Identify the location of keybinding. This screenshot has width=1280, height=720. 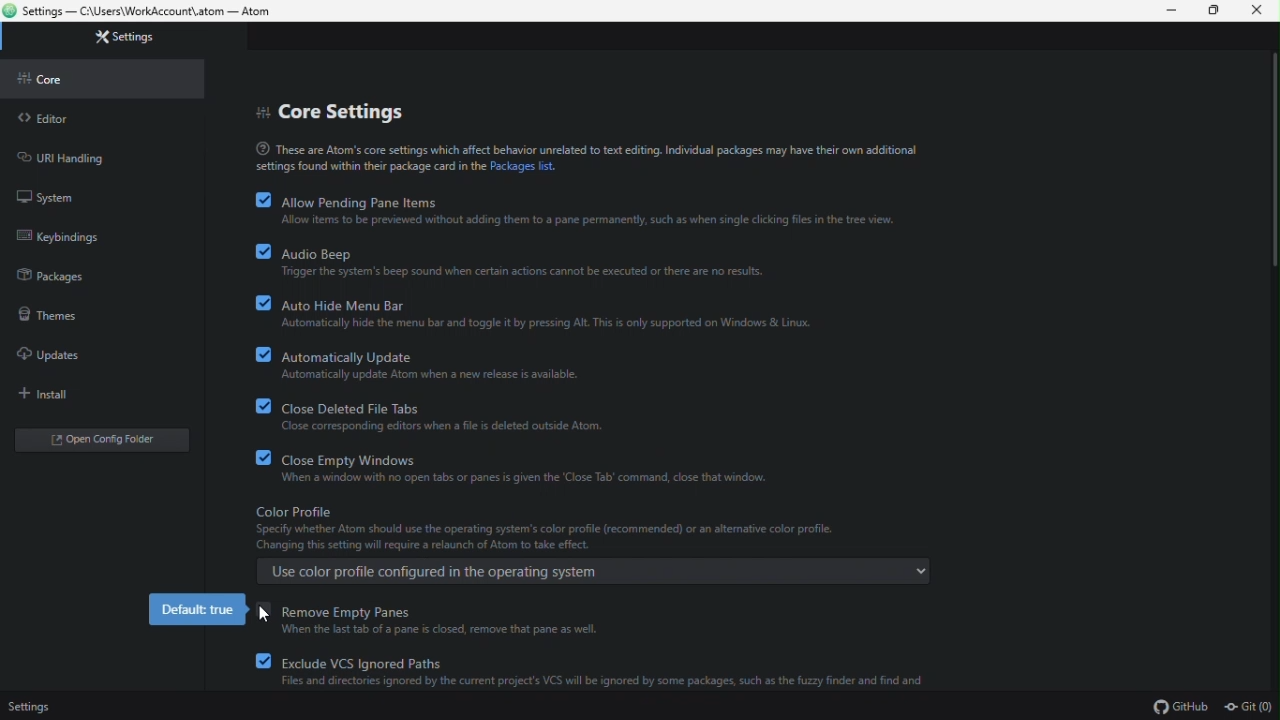
(62, 236).